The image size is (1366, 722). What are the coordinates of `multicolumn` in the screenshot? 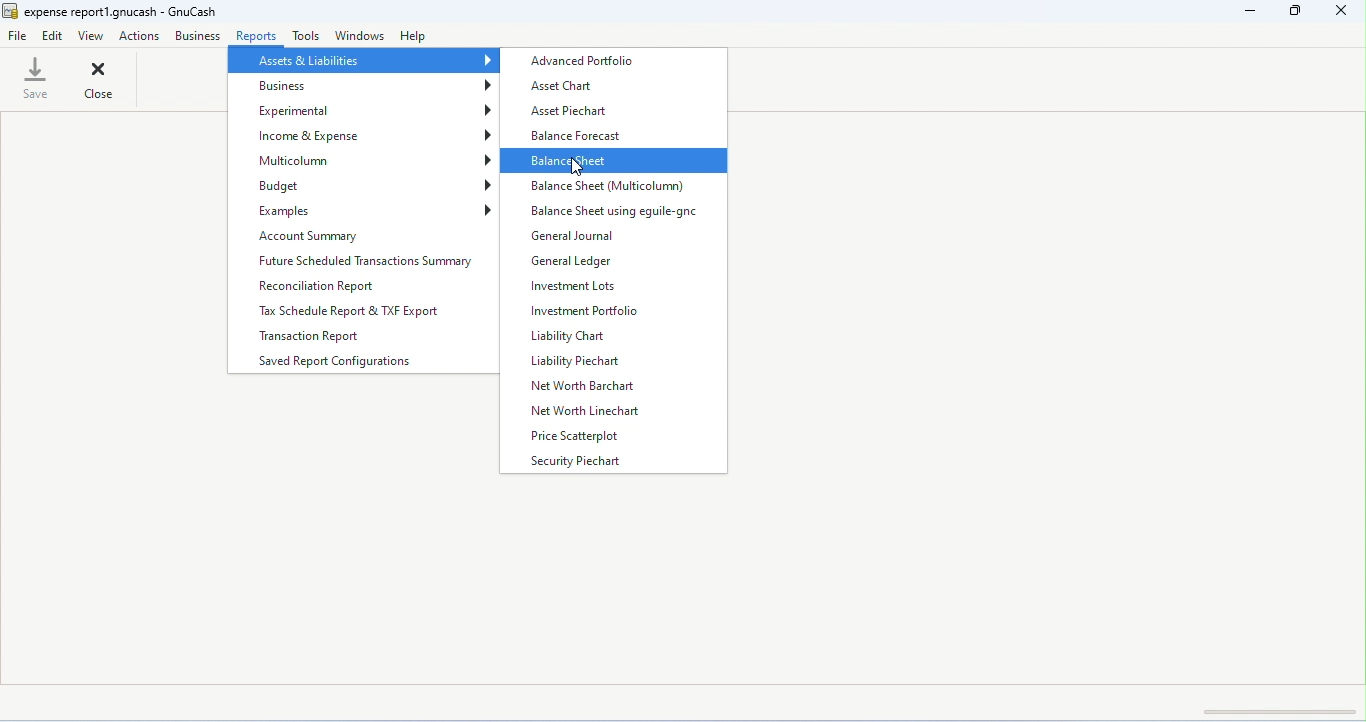 It's located at (365, 161).